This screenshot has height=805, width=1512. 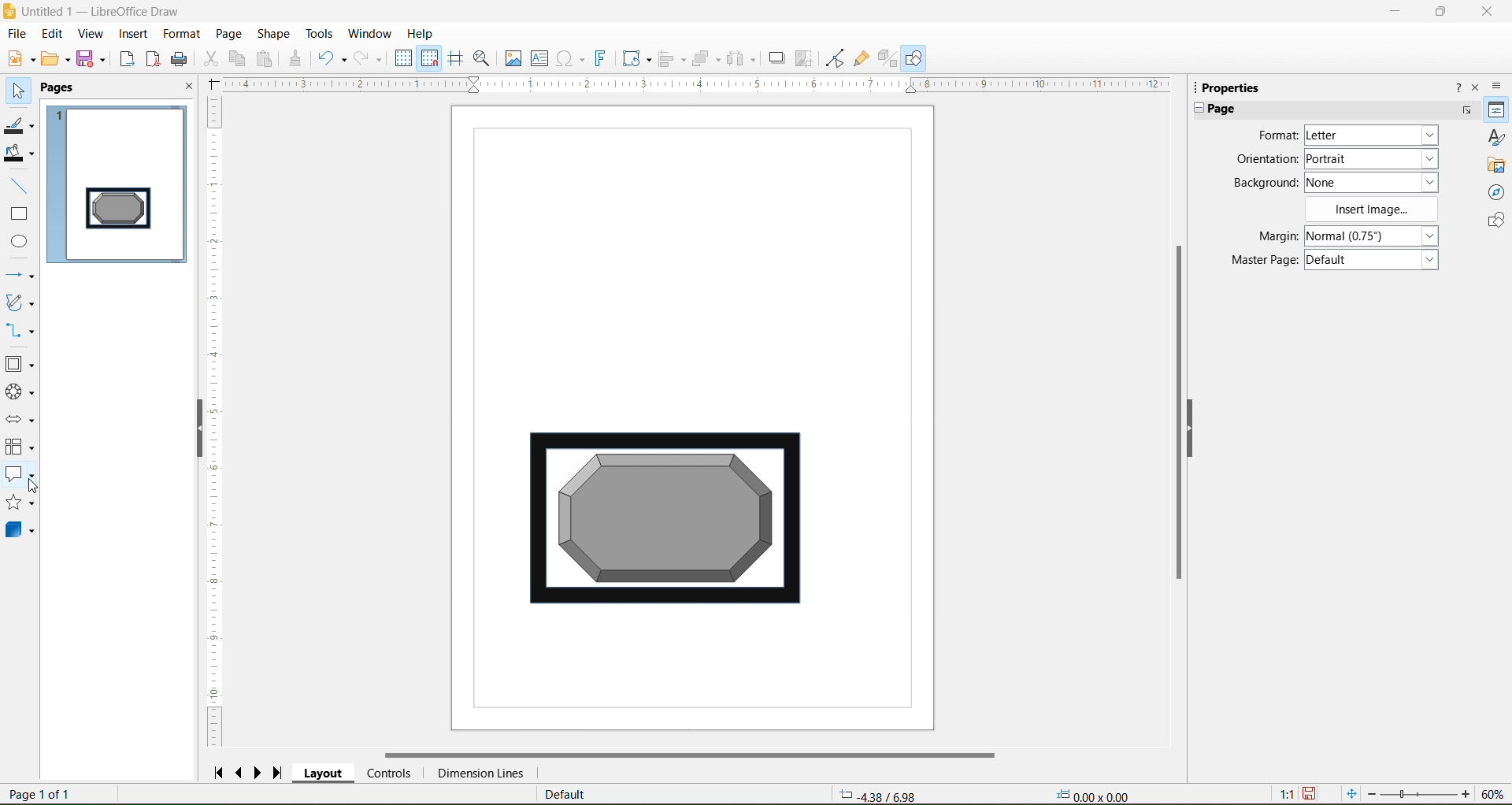 What do you see at coordinates (56, 61) in the screenshot?
I see `Open` at bounding box center [56, 61].